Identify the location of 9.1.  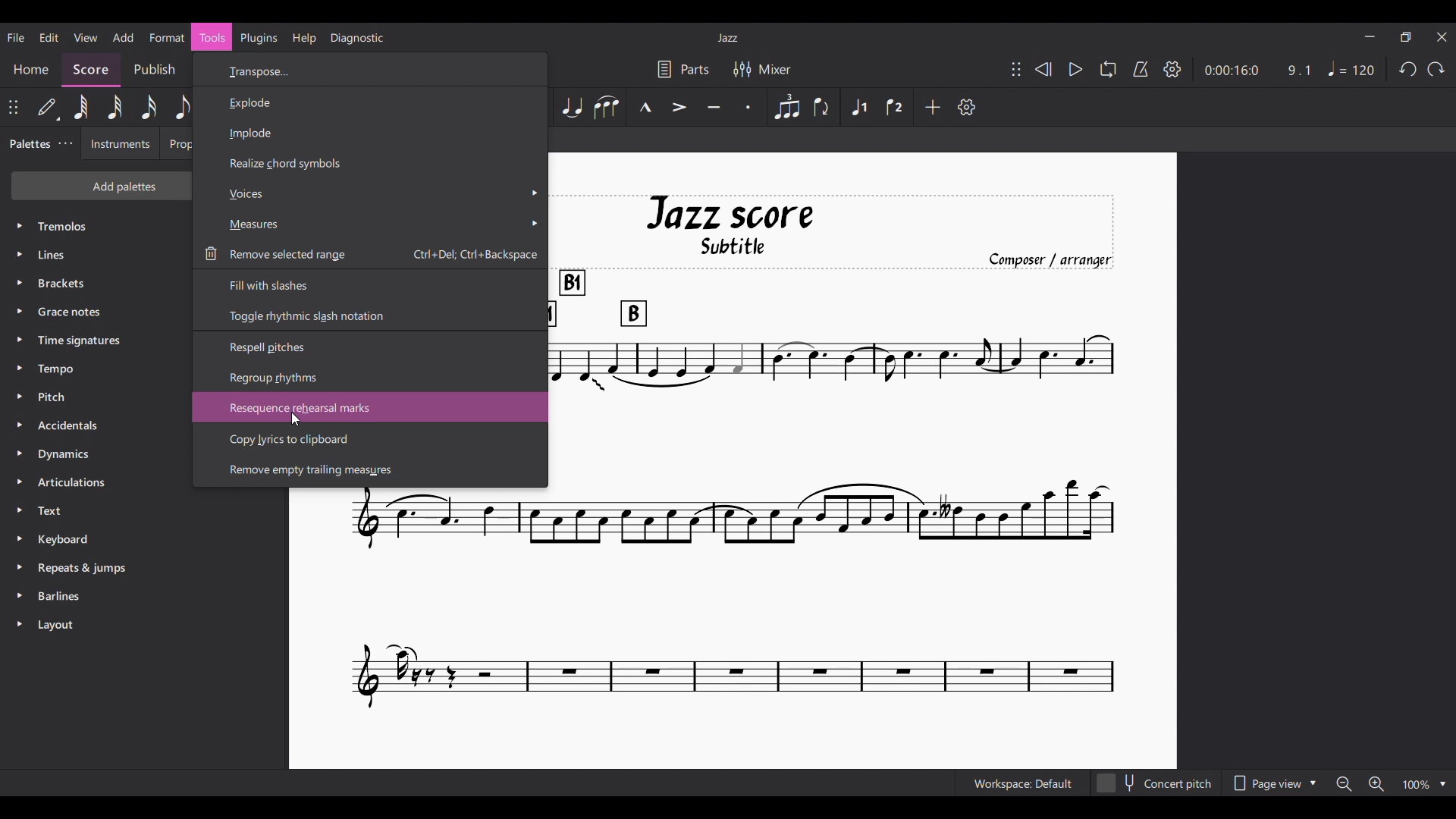
(1299, 71).